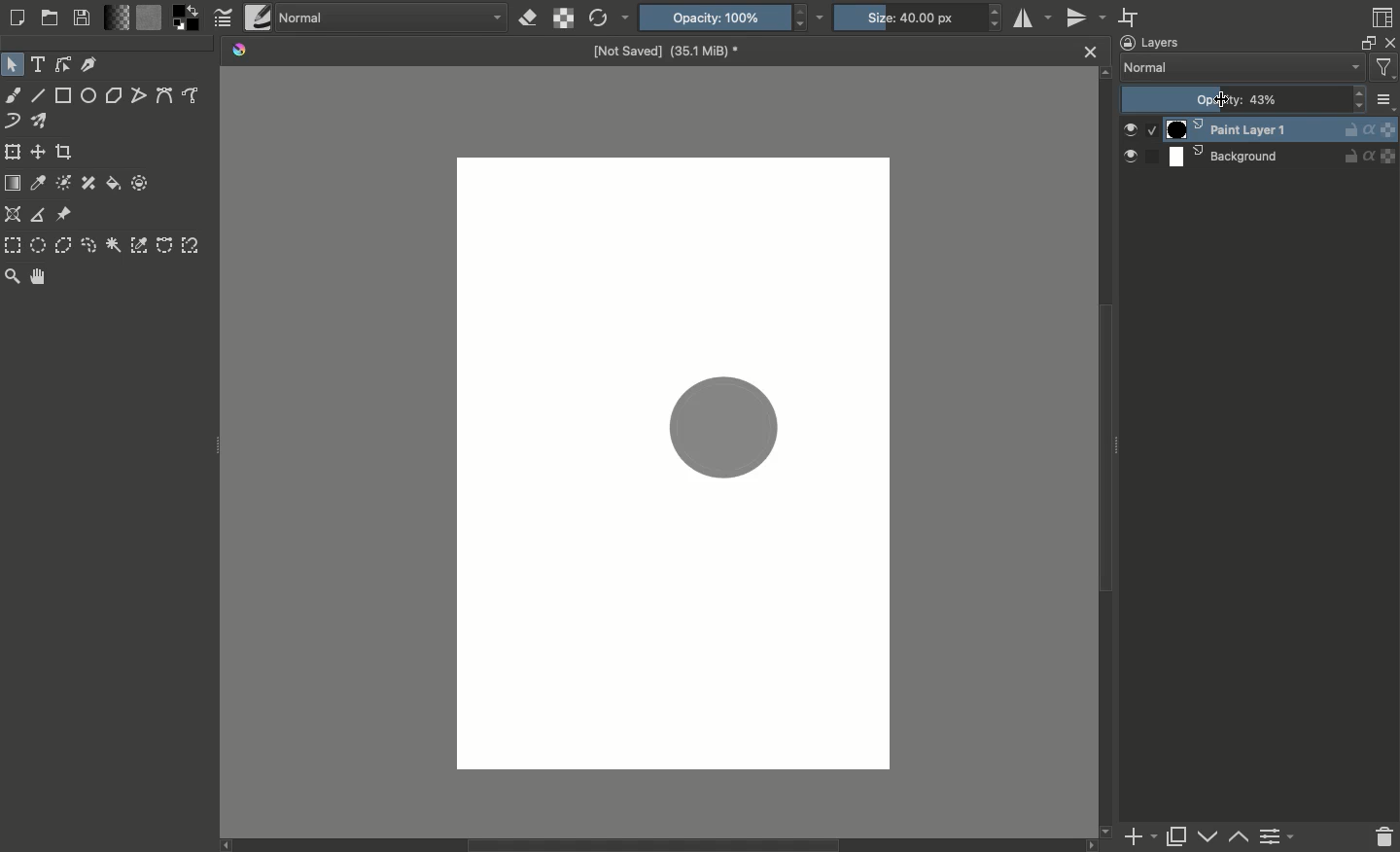 This screenshot has height=852, width=1400. Describe the element at coordinates (90, 185) in the screenshot. I see `Smart patch tool` at that location.